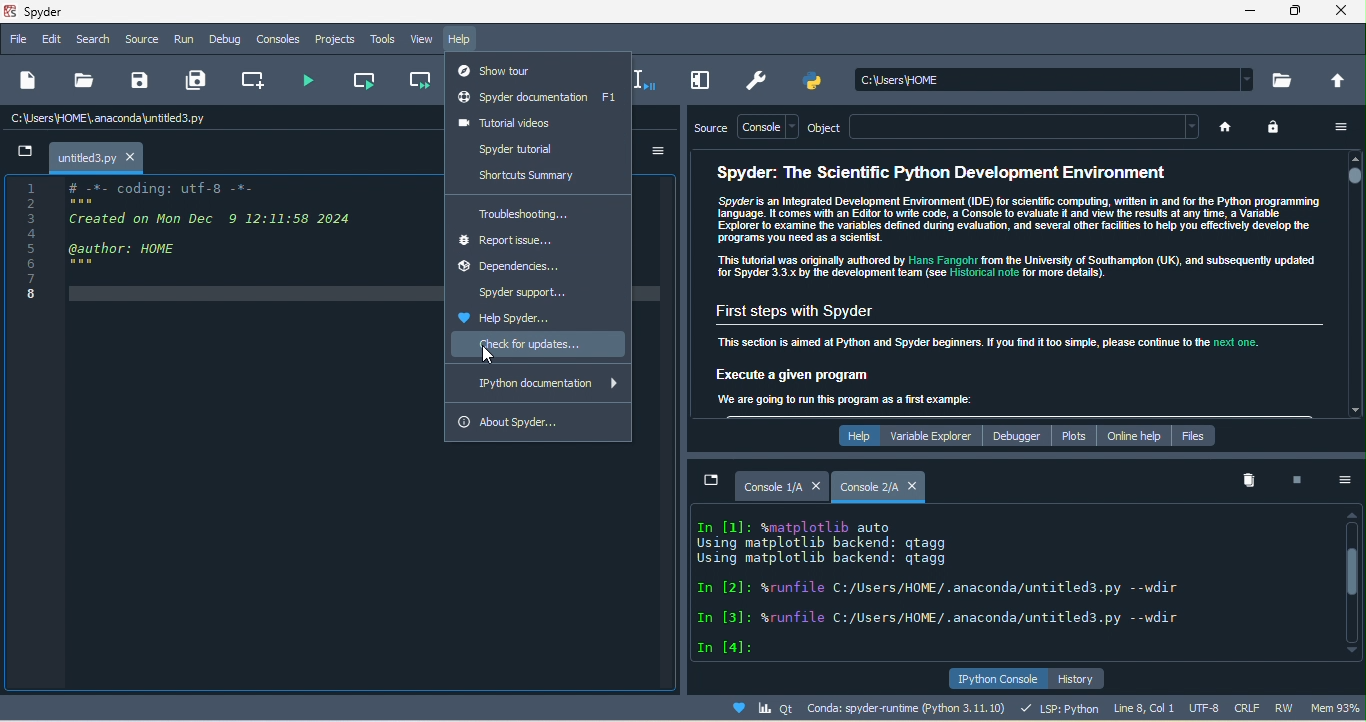 The width and height of the screenshot is (1366, 722). Describe the element at coordinates (1031, 128) in the screenshot. I see `text bar` at that location.